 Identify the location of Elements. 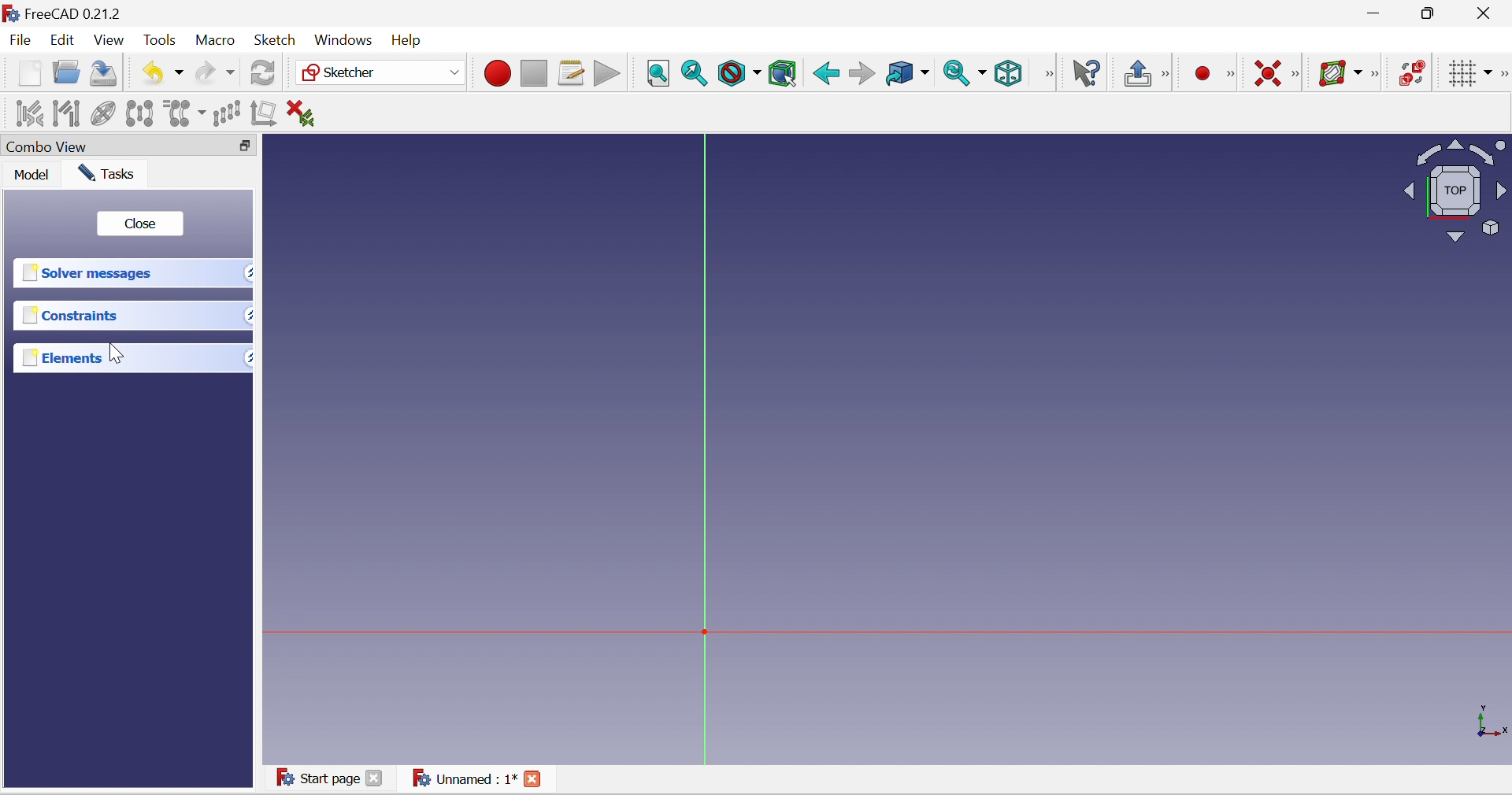
(61, 360).